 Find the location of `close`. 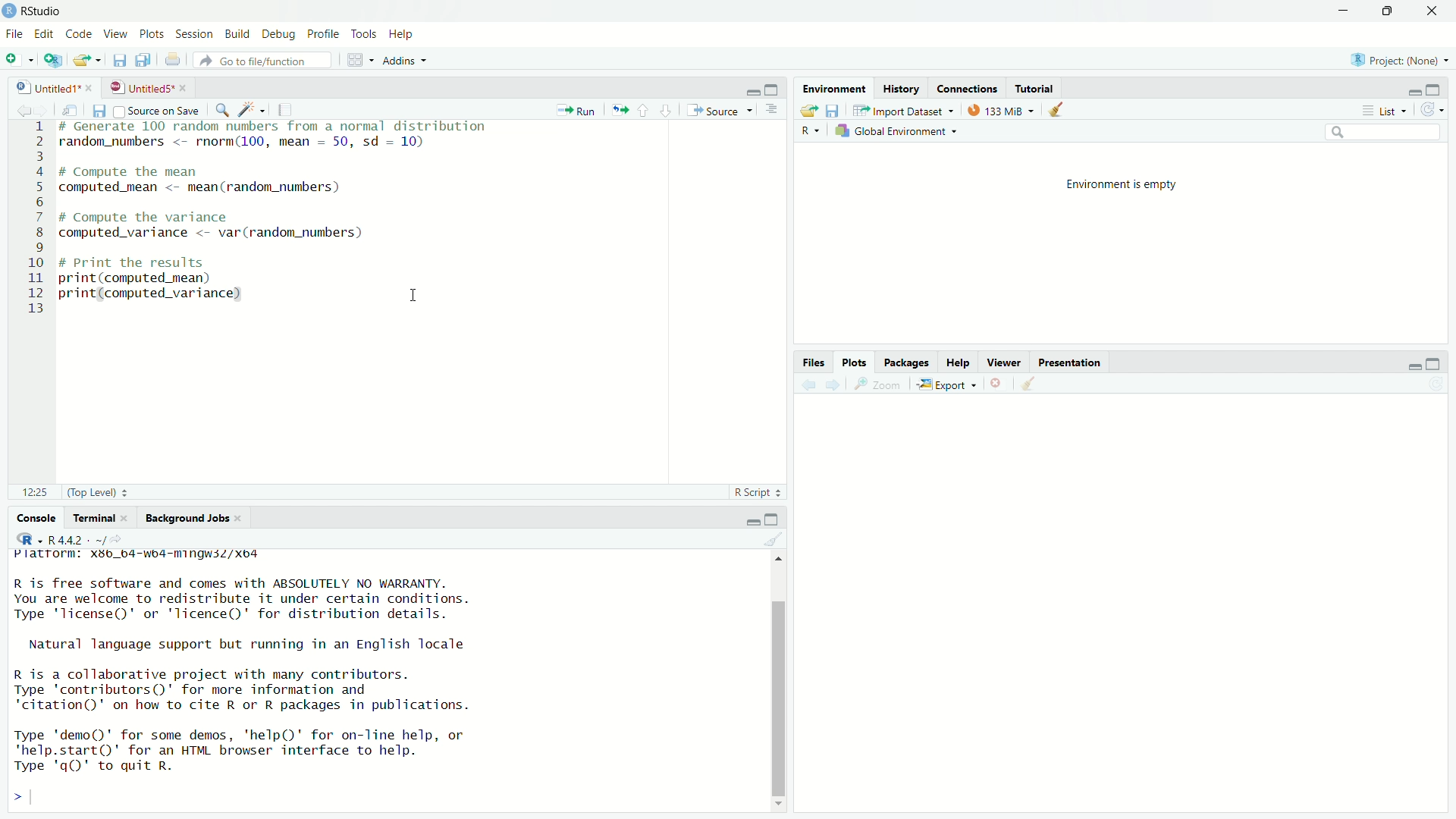

close is located at coordinates (127, 518).